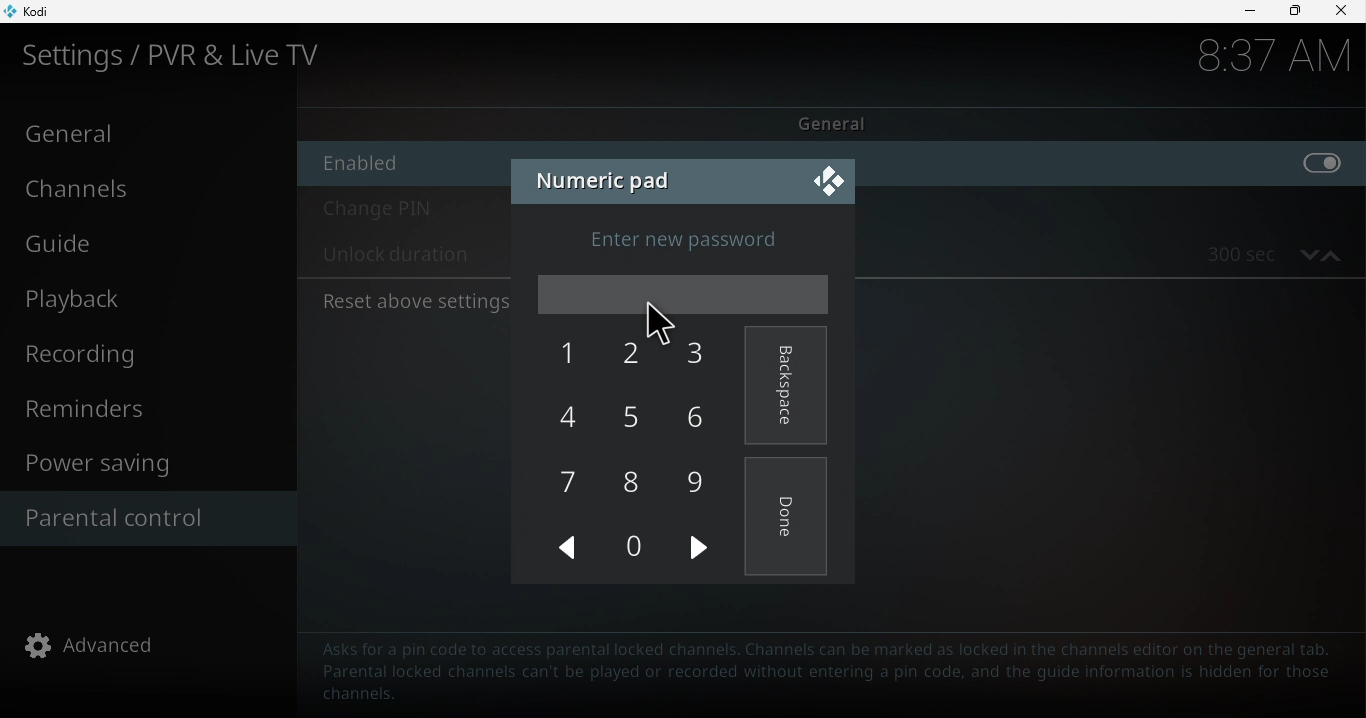 The width and height of the screenshot is (1366, 718). What do you see at coordinates (635, 481) in the screenshot?
I see `8` at bounding box center [635, 481].